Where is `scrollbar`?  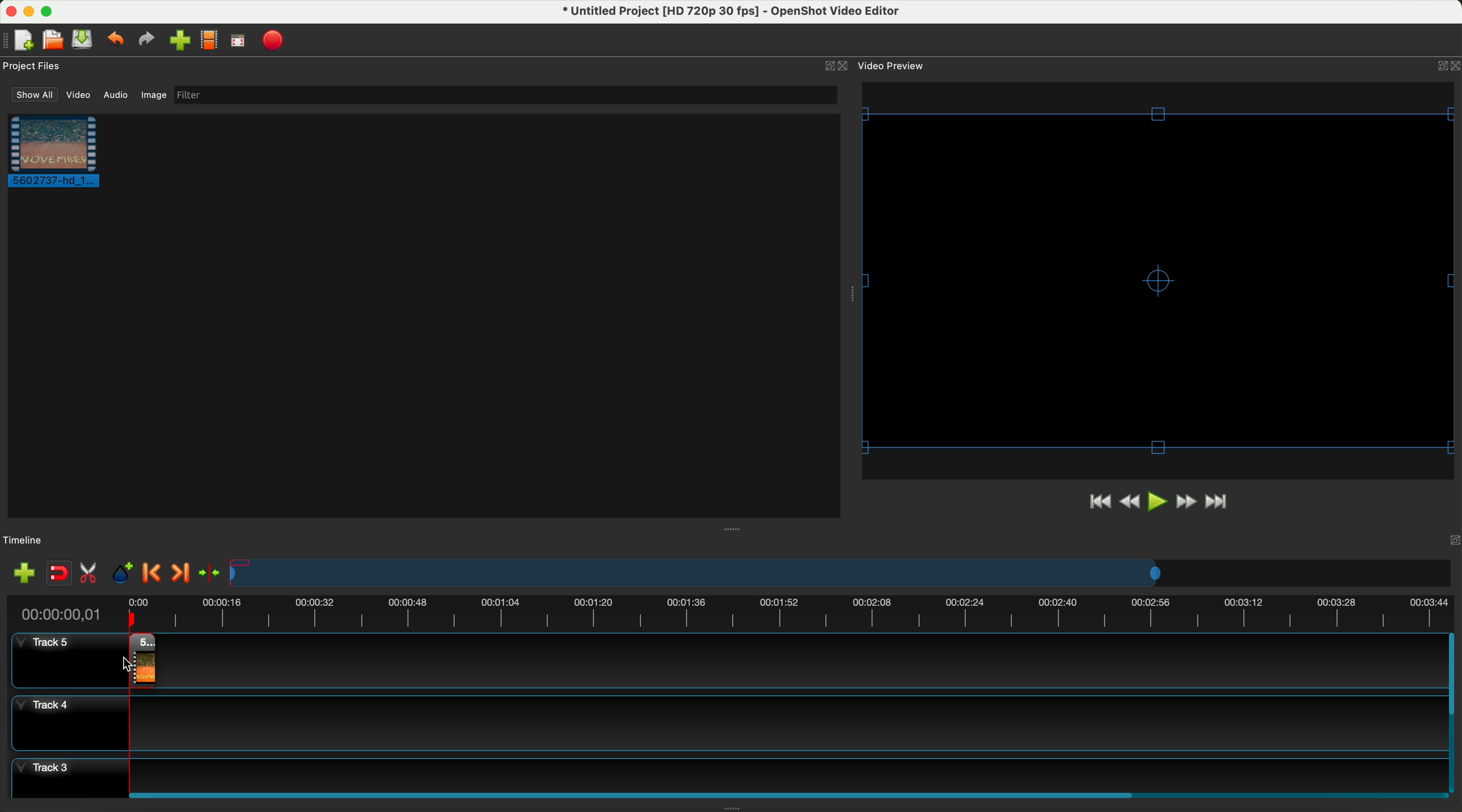
scrollbar is located at coordinates (1453, 711).